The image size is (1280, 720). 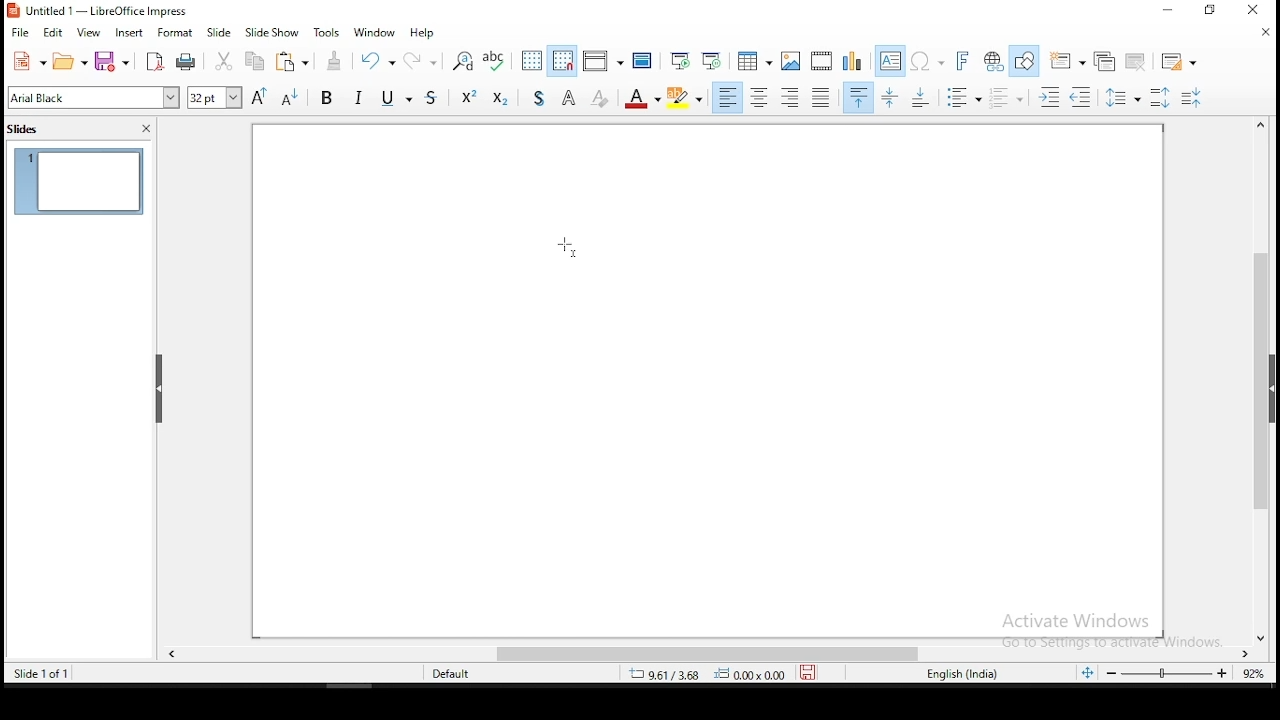 What do you see at coordinates (643, 59) in the screenshot?
I see `master slide` at bounding box center [643, 59].